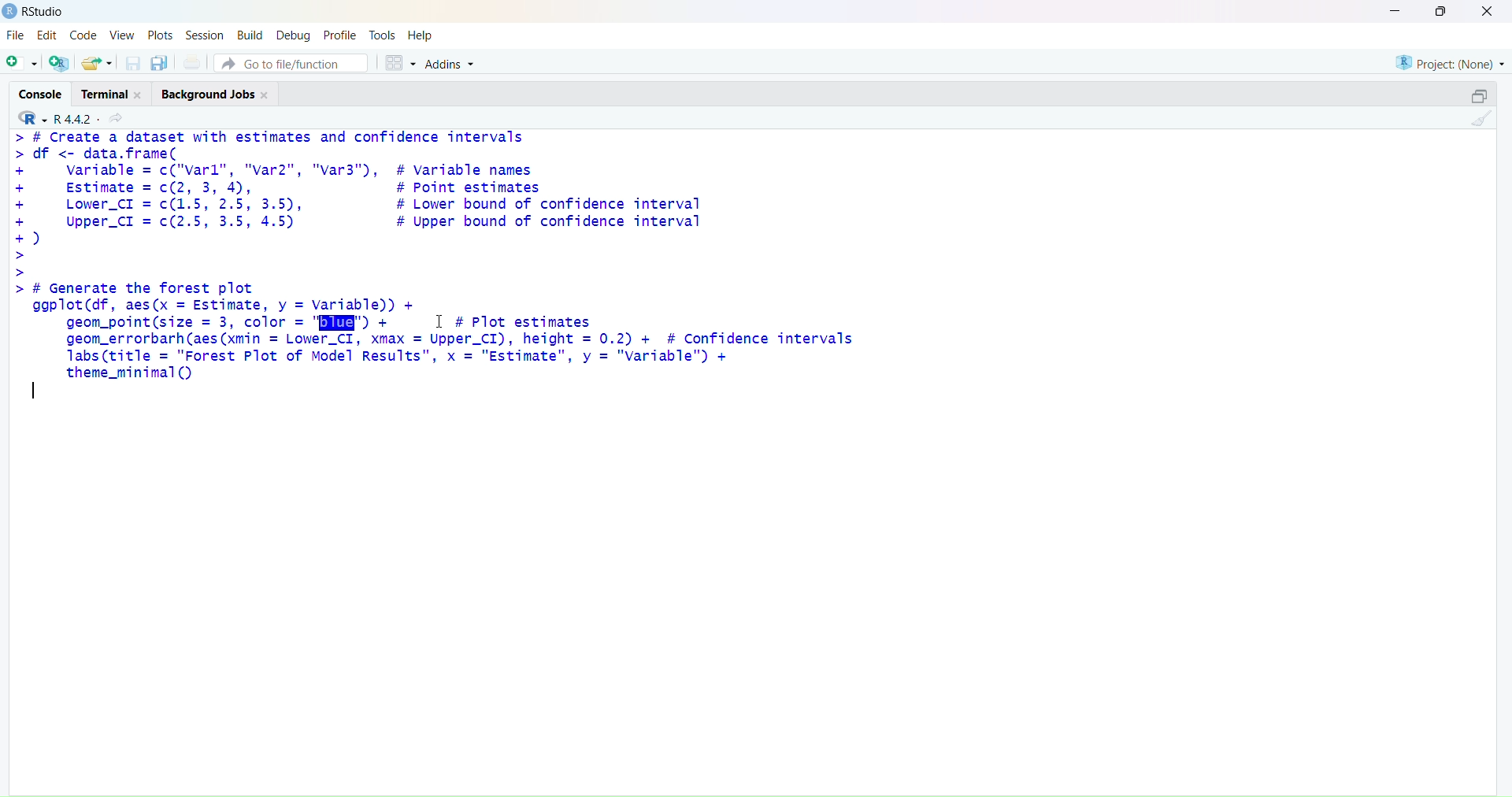 The width and height of the screenshot is (1512, 797). I want to click on Go to file/function, so click(290, 64).